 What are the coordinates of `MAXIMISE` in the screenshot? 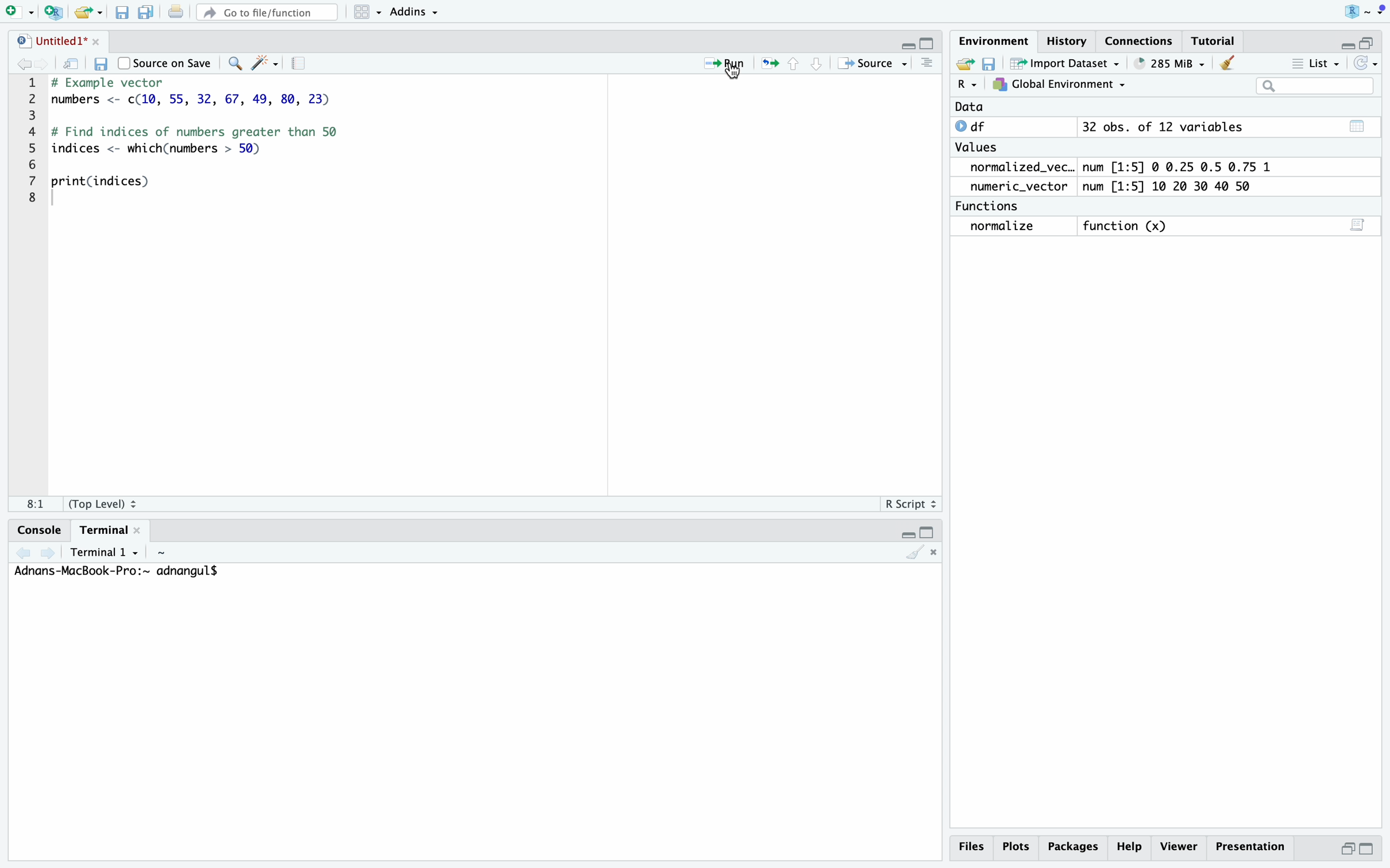 It's located at (1373, 38).